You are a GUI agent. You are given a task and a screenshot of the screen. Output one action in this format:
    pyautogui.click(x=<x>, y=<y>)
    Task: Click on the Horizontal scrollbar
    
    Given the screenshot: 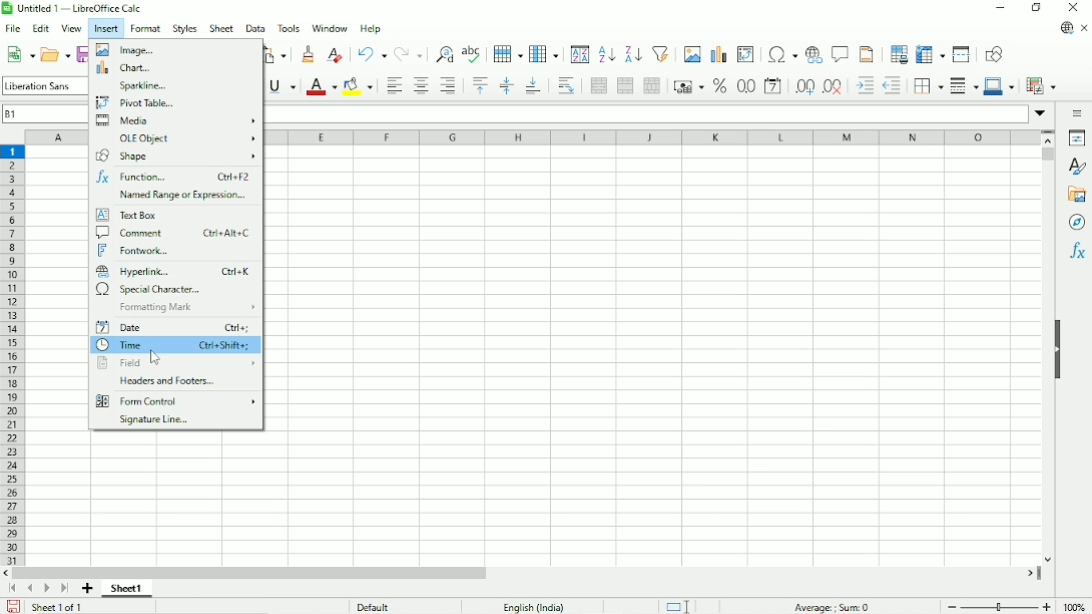 What is the action you would take?
    pyautogui.click(x=252, y=574)
    